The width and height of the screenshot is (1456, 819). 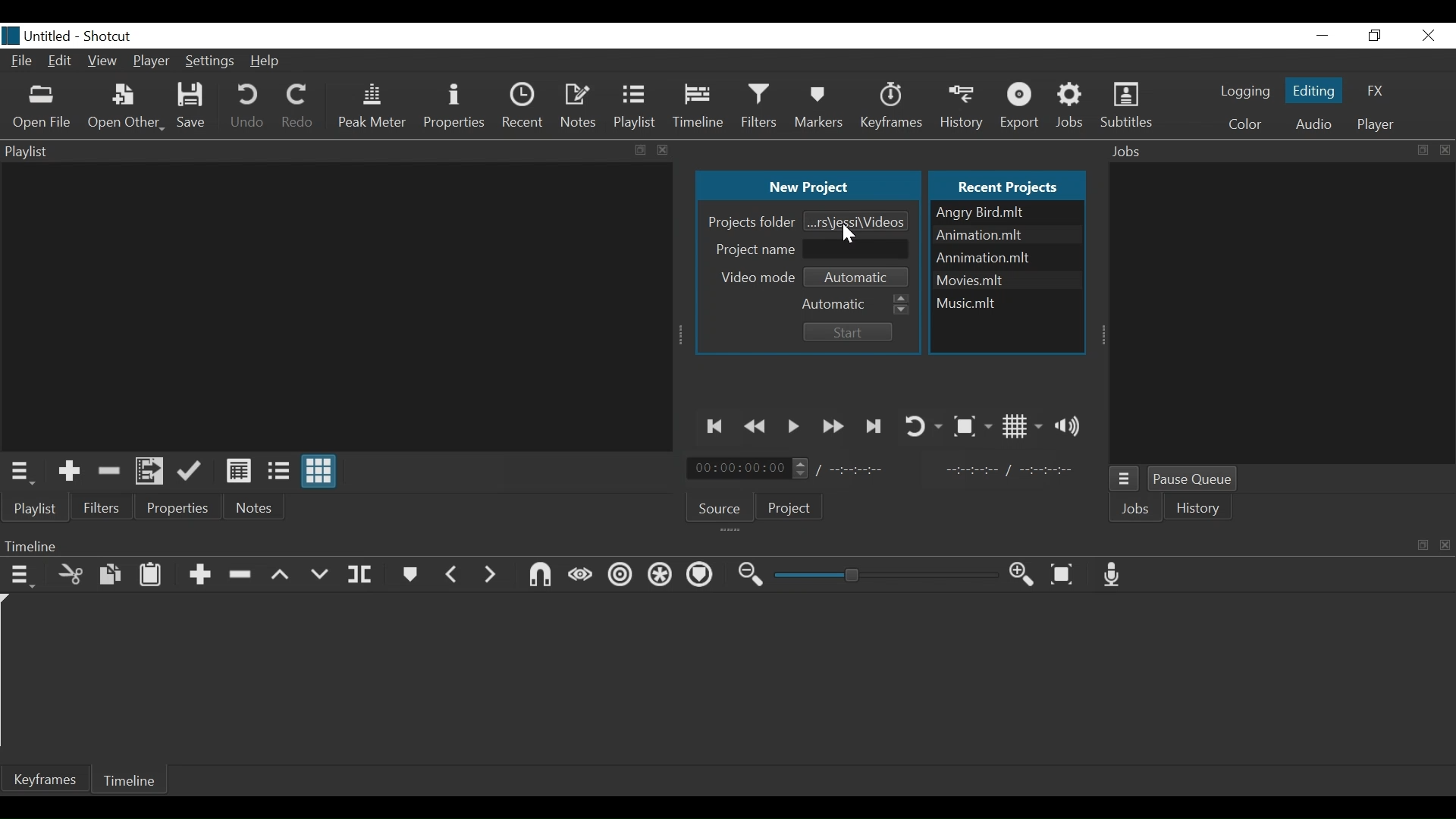 What do you see at coordinates (1006, 236) in the screenshot?
I see `File name` at bounding box center [1006, 236].